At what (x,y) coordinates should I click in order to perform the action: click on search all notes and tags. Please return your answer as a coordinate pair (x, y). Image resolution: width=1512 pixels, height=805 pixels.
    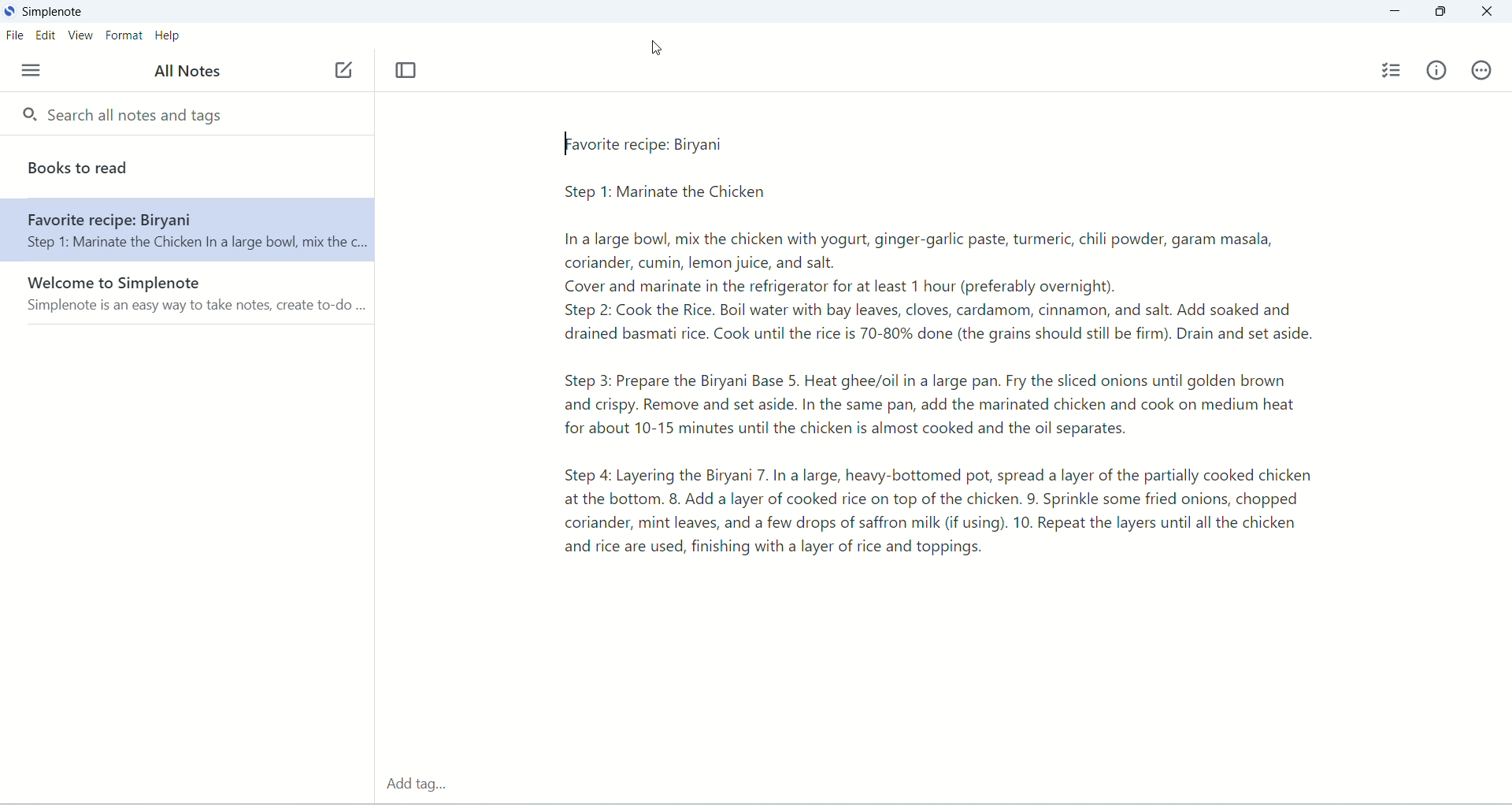
    Looking at the image, I should click on (127, 116).